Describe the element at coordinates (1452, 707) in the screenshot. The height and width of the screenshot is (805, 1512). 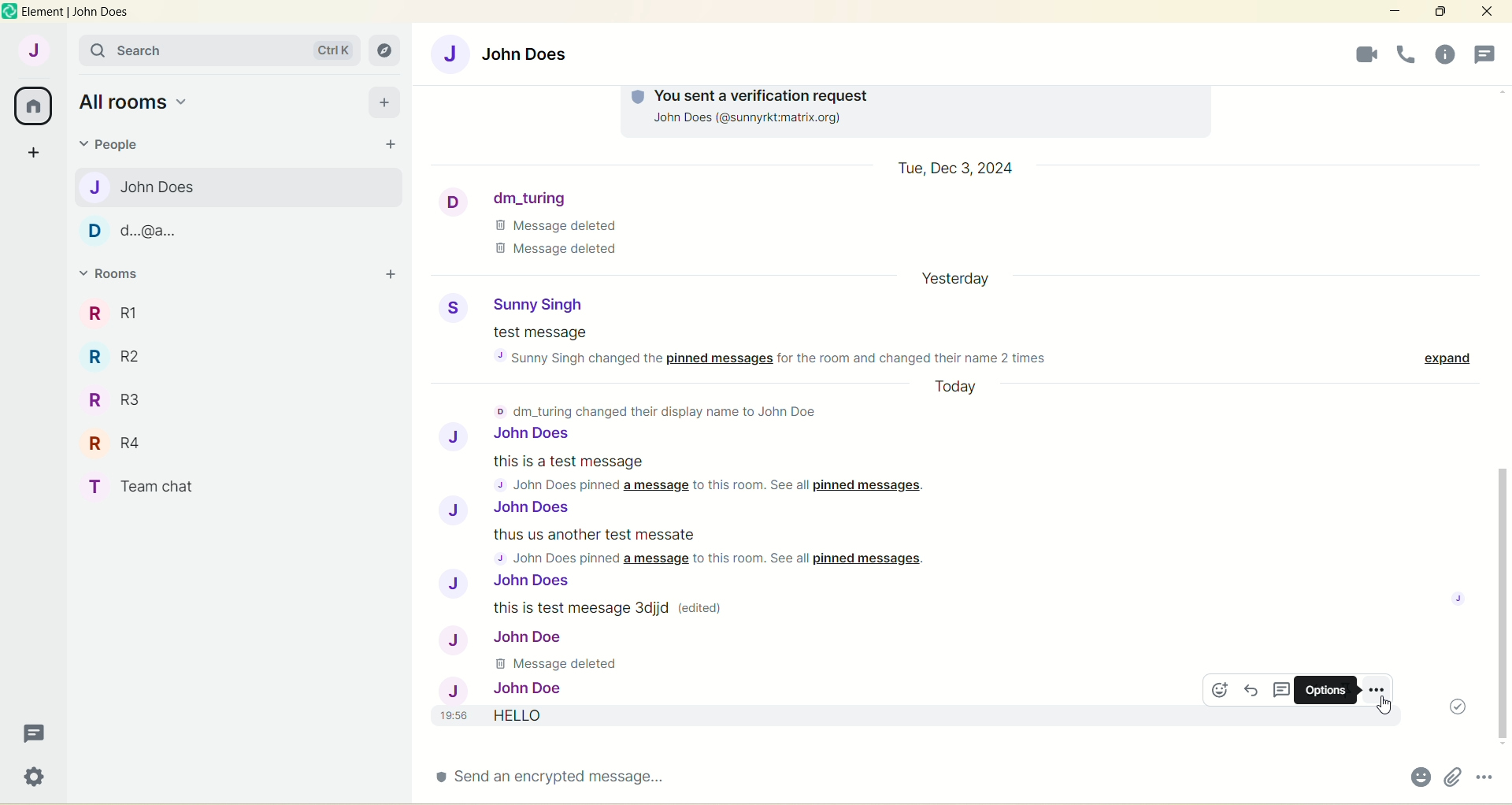
I see `message sent` at that location.